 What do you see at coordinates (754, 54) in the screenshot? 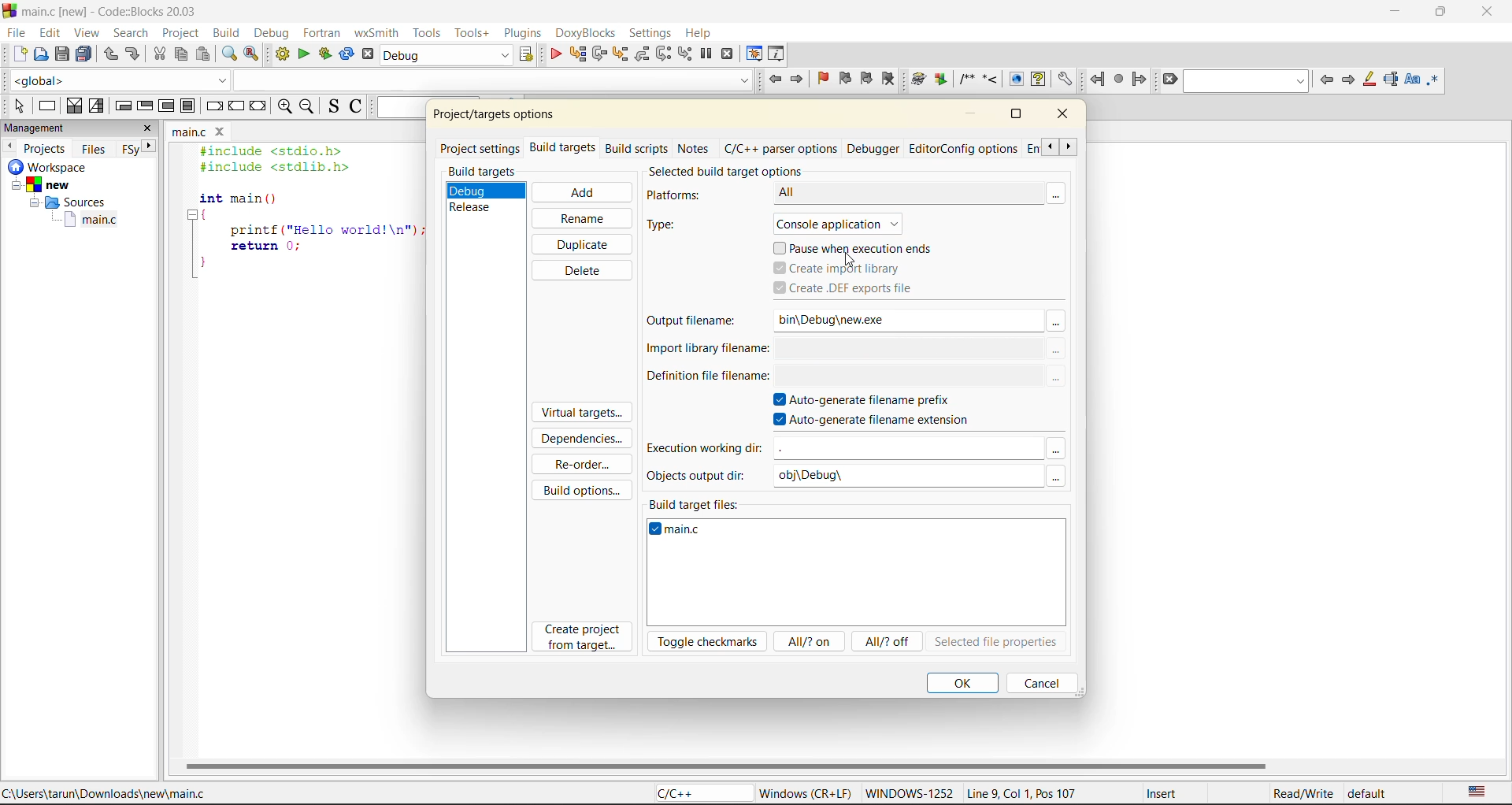
I see `debugging windows` at bounding box center [754, 54].